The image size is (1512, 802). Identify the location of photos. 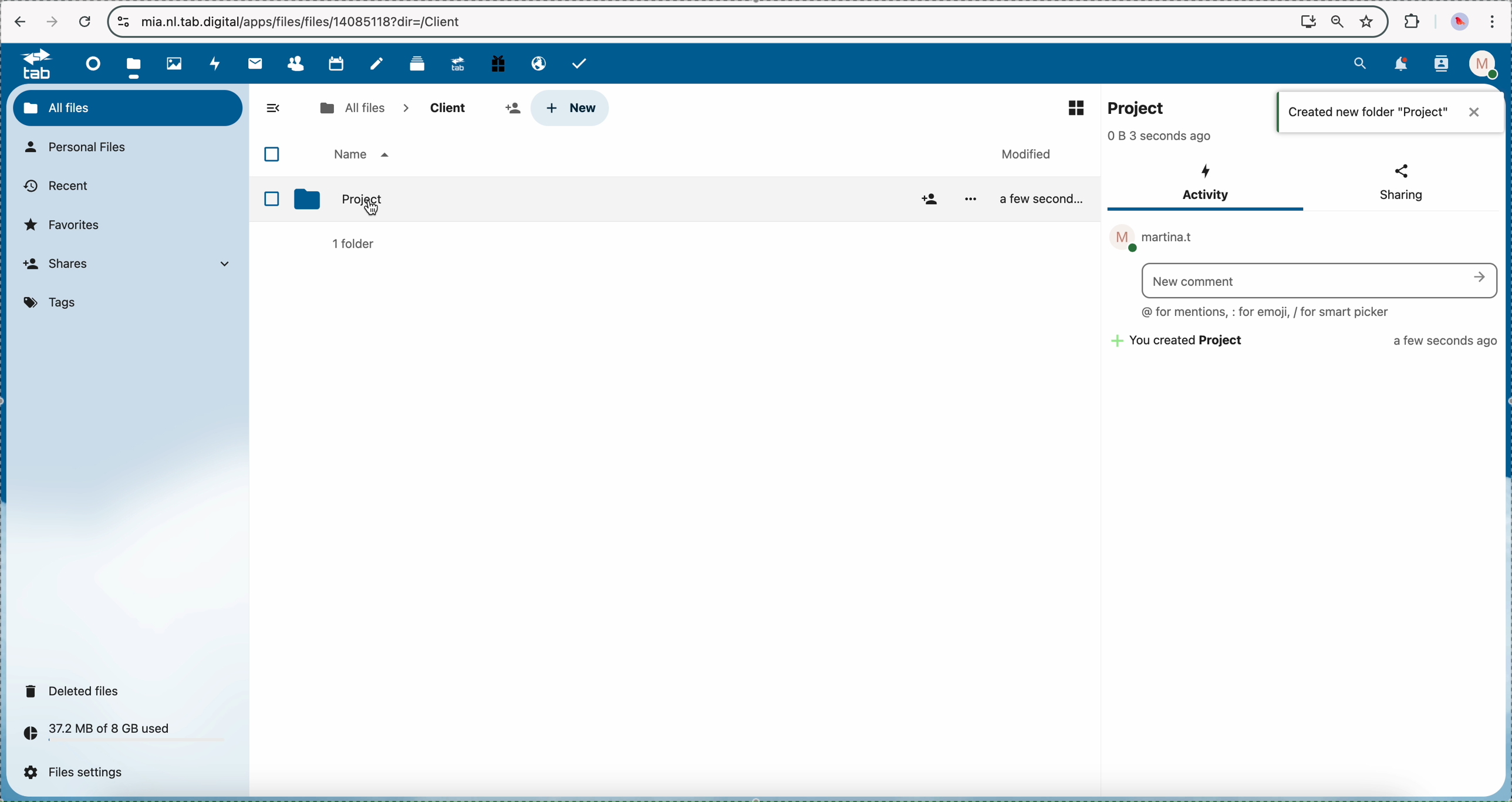
(178, 64).